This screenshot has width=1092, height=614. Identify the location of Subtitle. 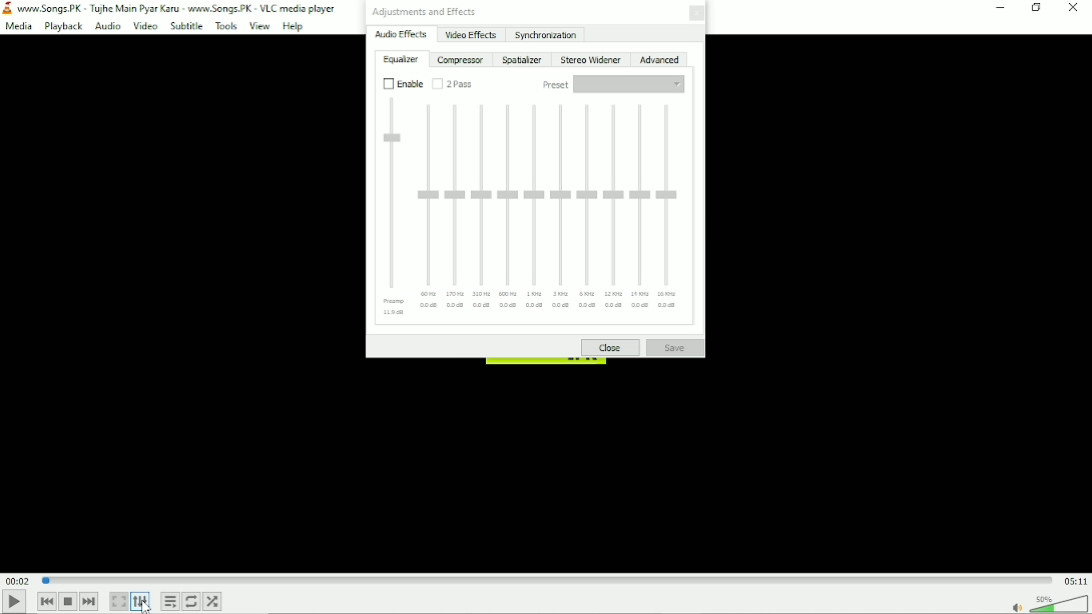
(185, 27).